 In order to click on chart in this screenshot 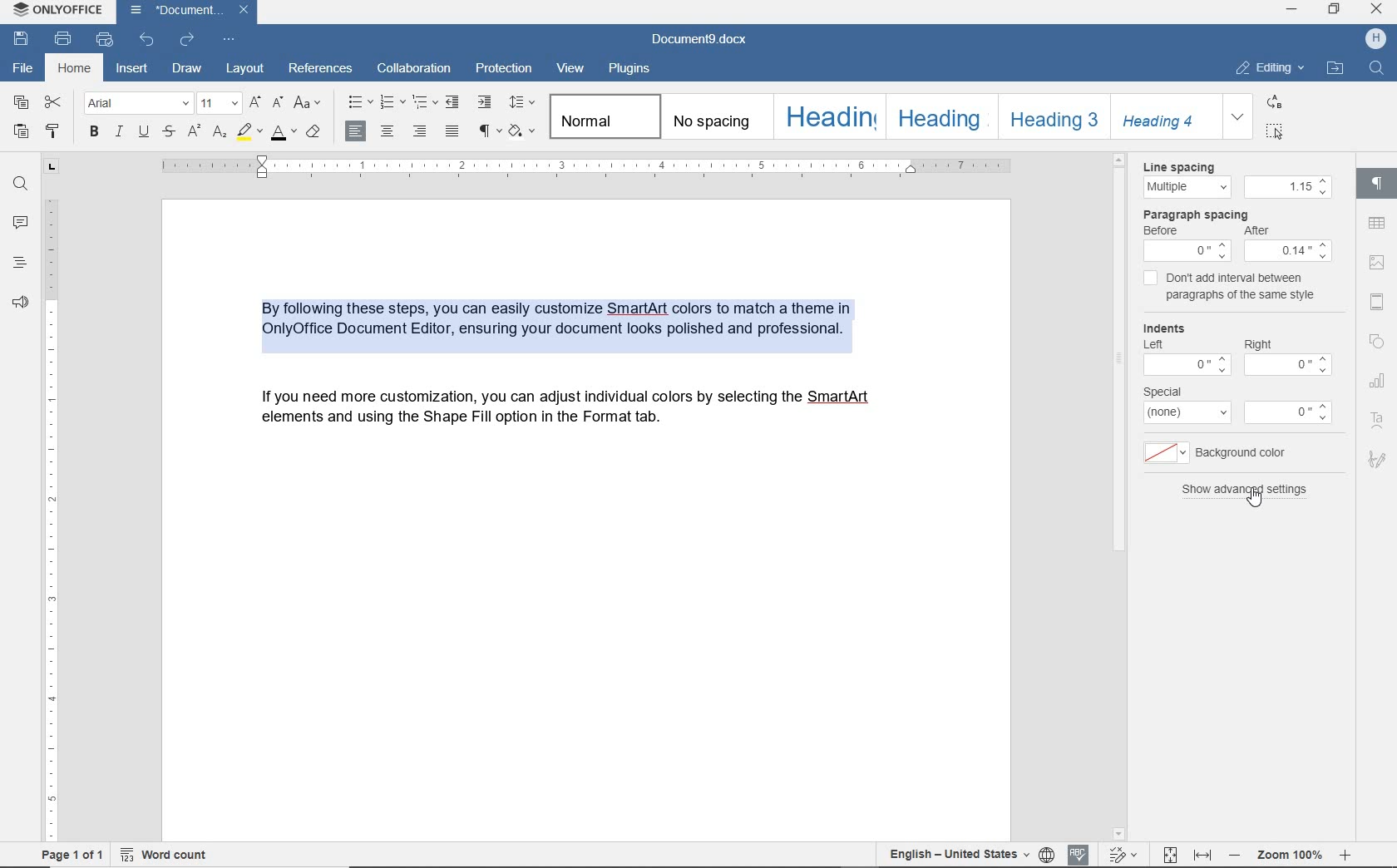, I will do `click(1380, 384)`.